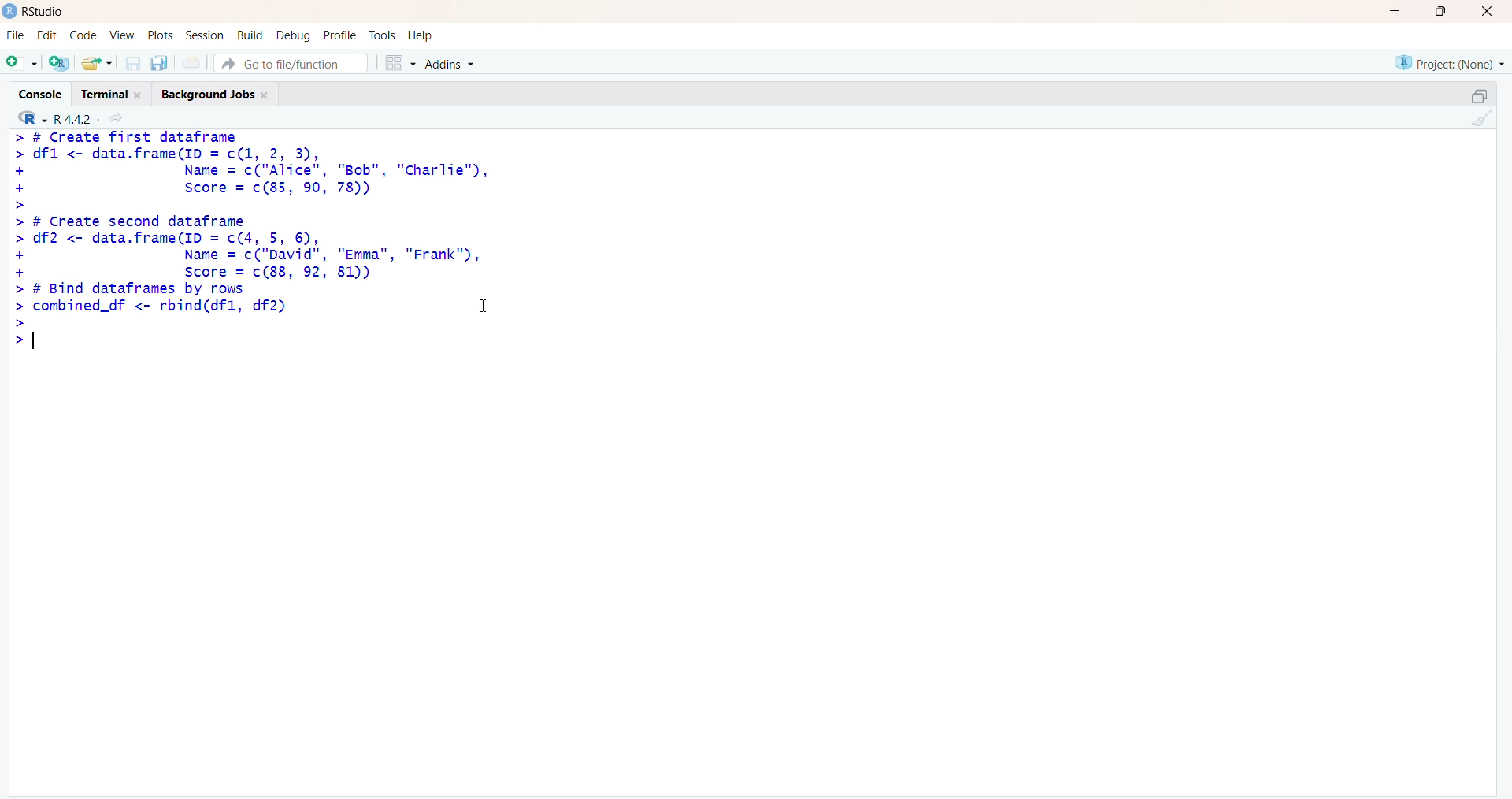 The height and width of the screenshot is (799, 1512). What do you see at coordinates (295, 35) in the screenshot?
I see `Debug` at bounding box center [295, 35].